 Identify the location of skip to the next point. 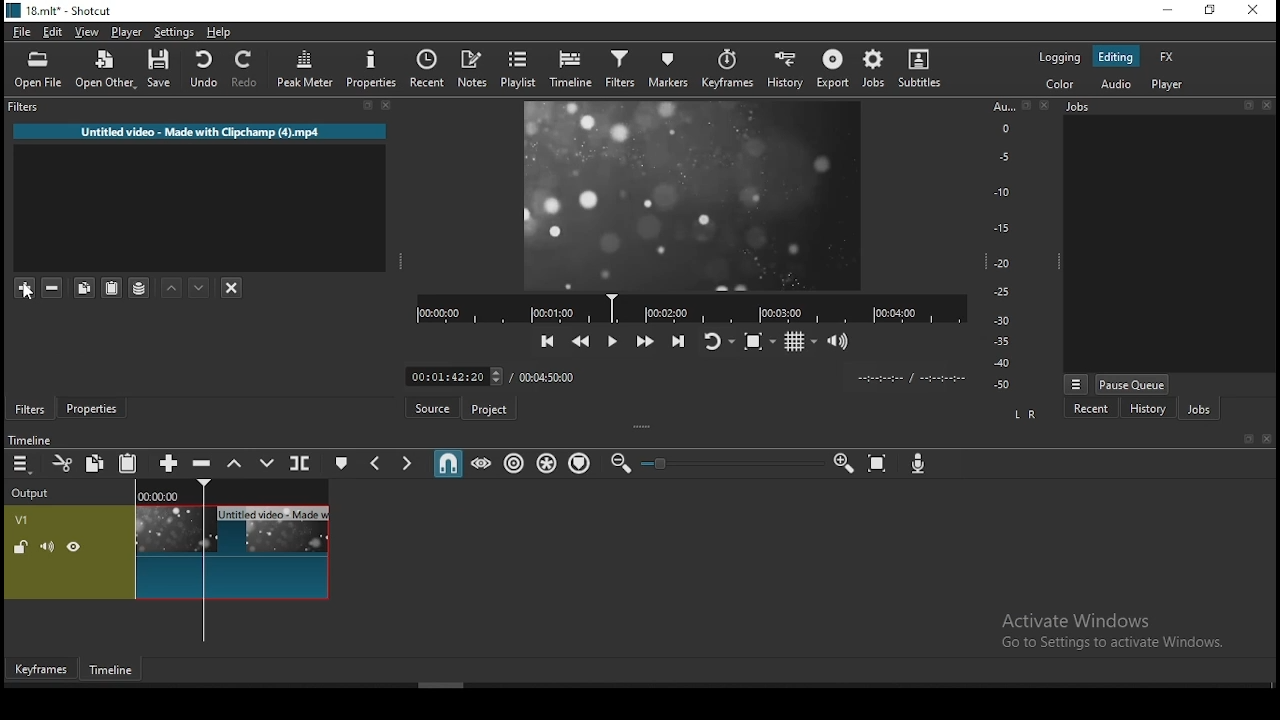
(679, 340).